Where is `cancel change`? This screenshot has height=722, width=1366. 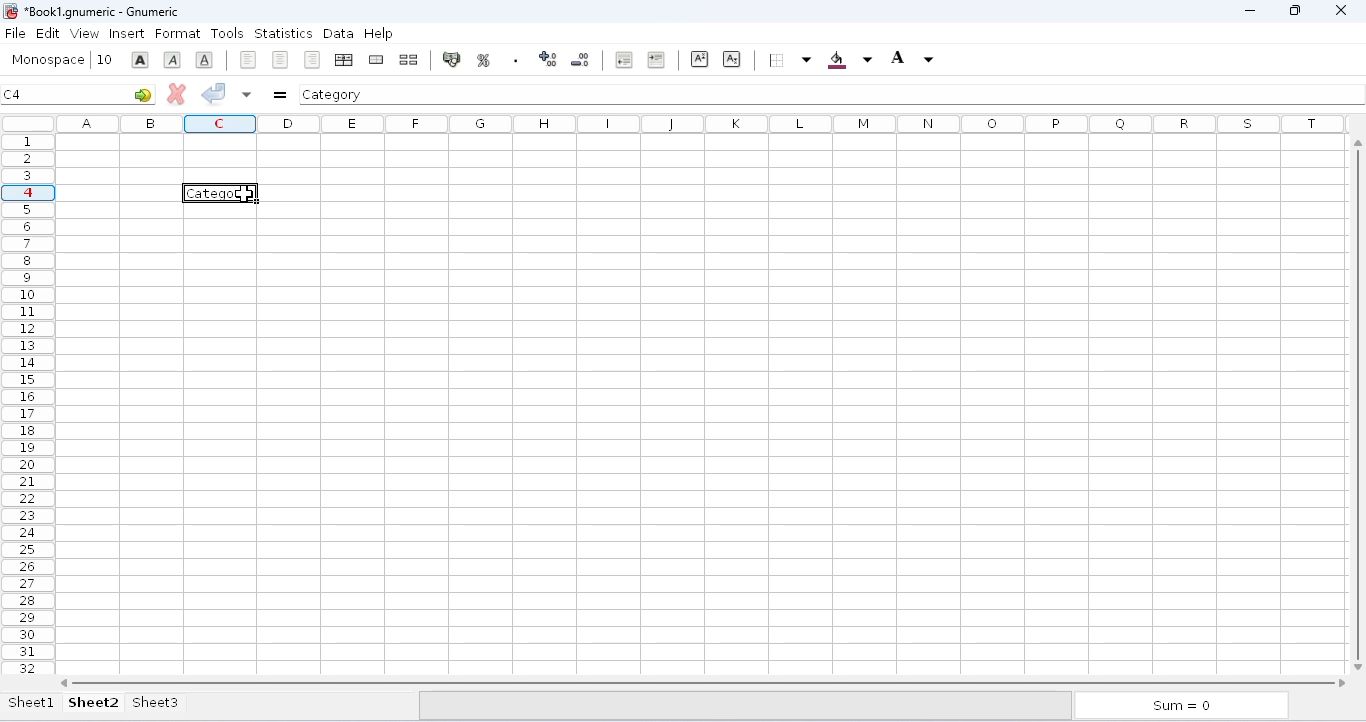
cancel change is located at coordinates (177, 93).